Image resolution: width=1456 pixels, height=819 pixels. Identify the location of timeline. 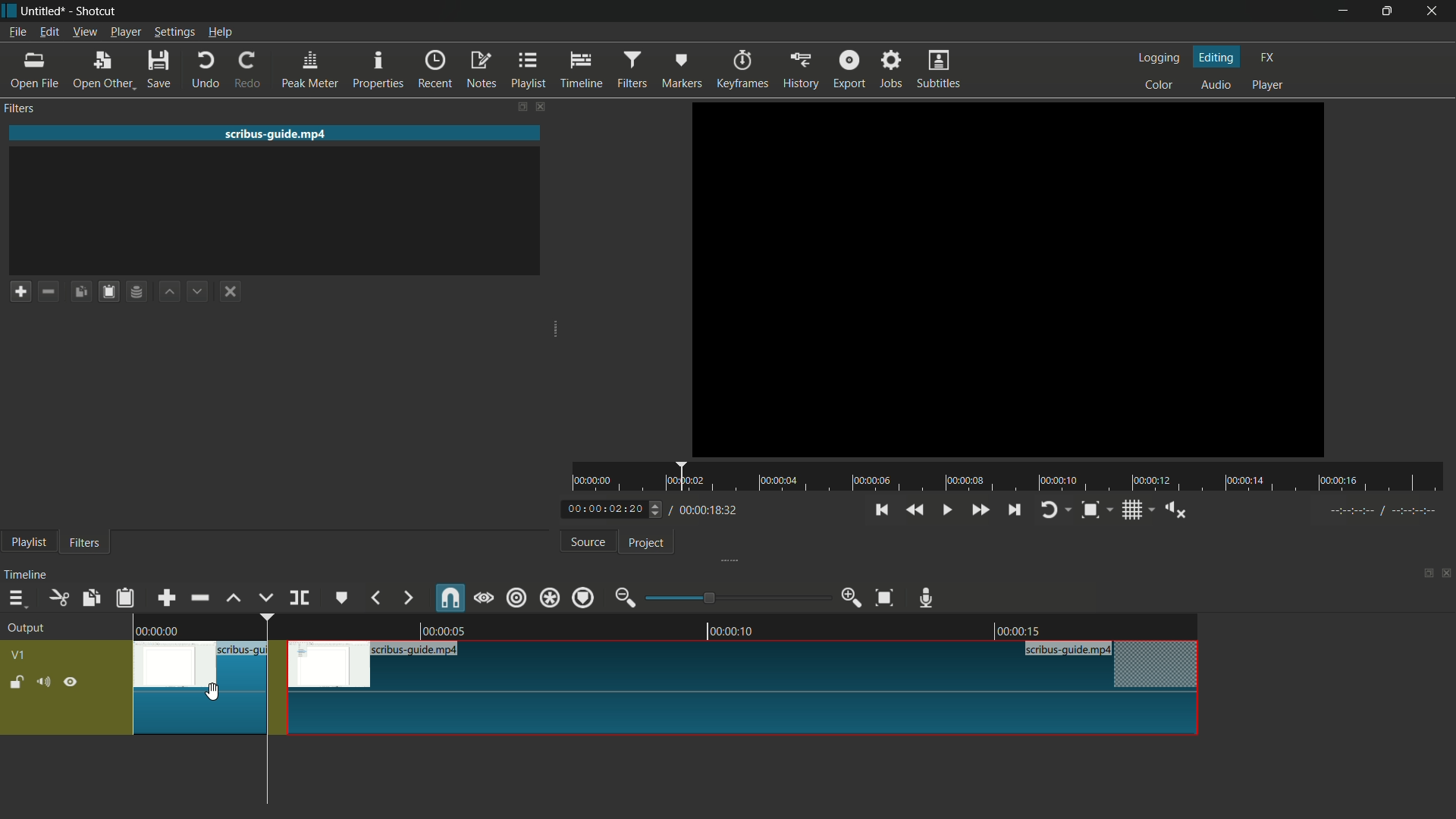
(583, 70).